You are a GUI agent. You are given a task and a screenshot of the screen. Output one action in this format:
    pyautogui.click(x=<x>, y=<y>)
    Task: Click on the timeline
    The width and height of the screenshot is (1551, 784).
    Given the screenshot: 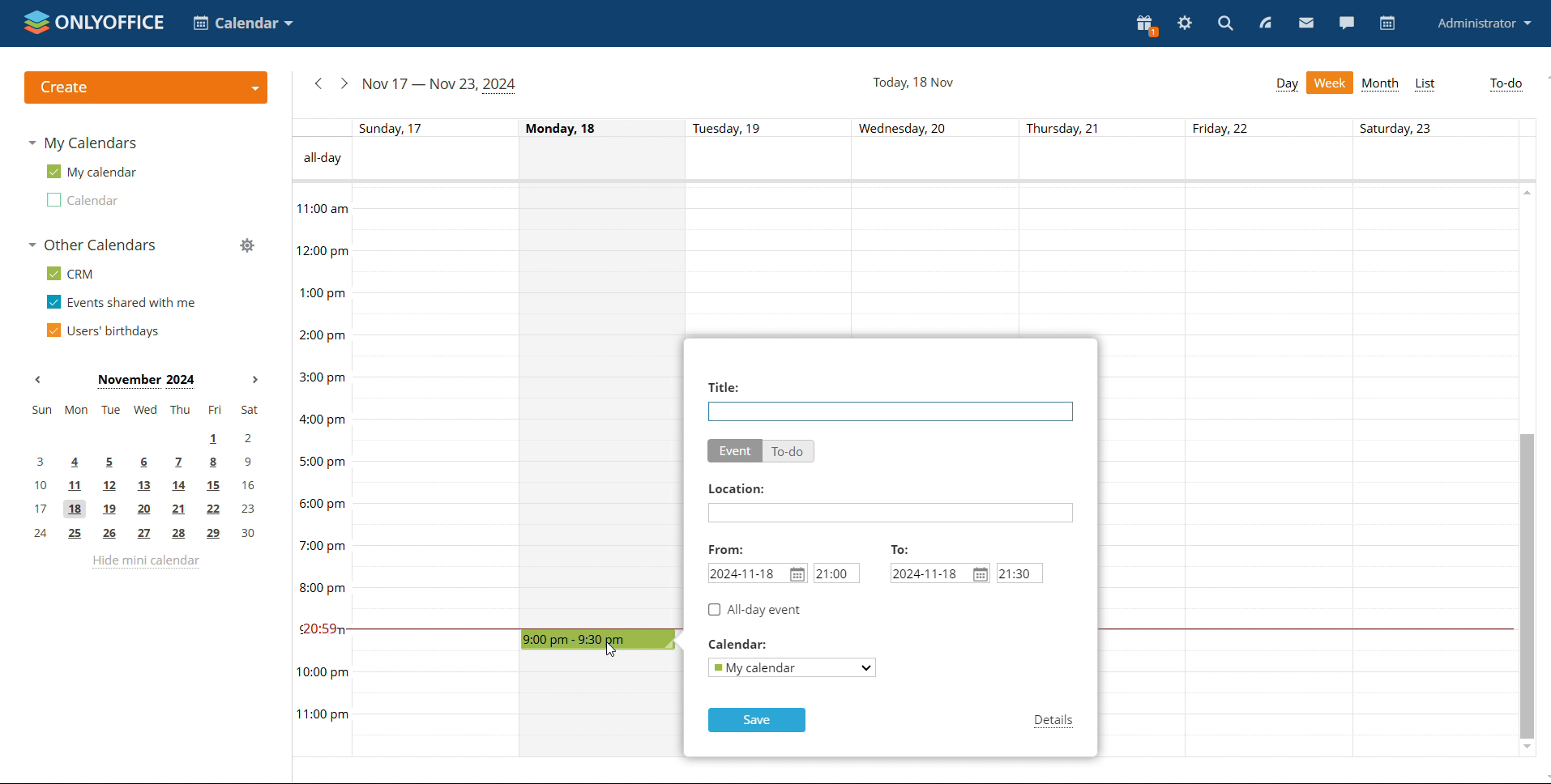 What is the action you would take?
    pyautogui.click(x=321, y=470)
    